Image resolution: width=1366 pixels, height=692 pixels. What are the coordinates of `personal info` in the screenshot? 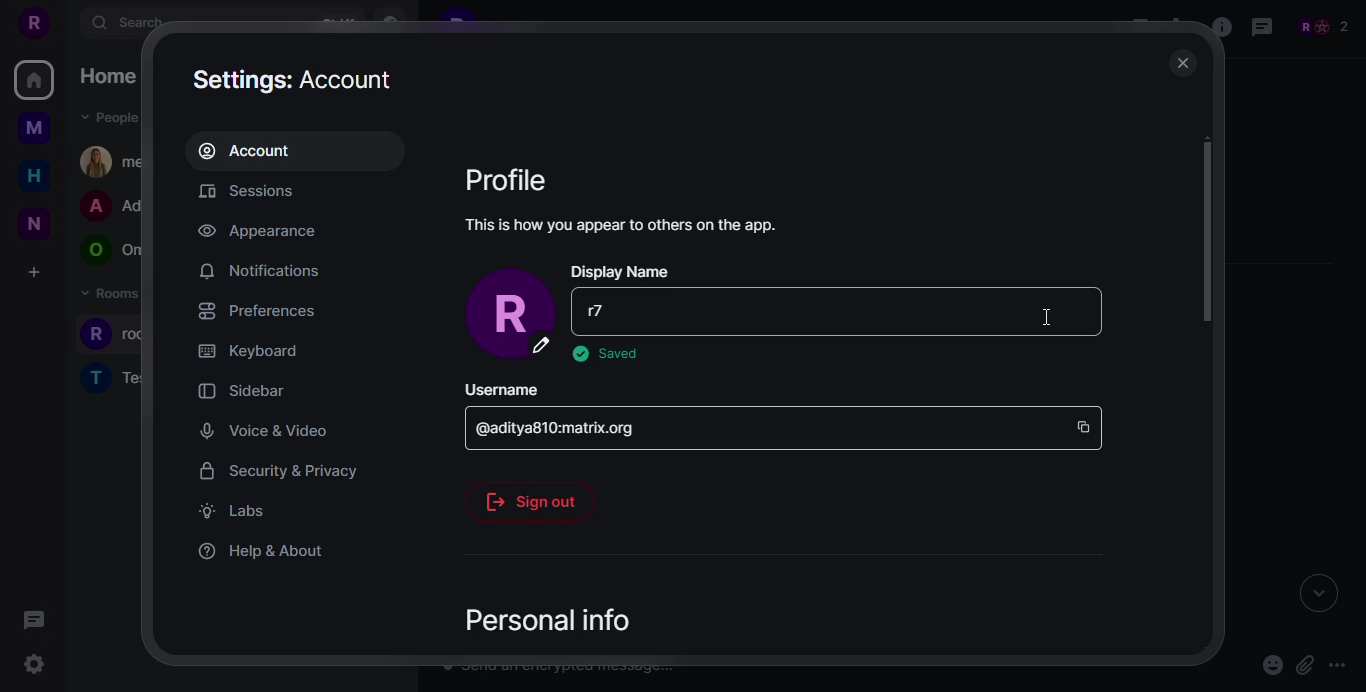 It's located at (552, 614).